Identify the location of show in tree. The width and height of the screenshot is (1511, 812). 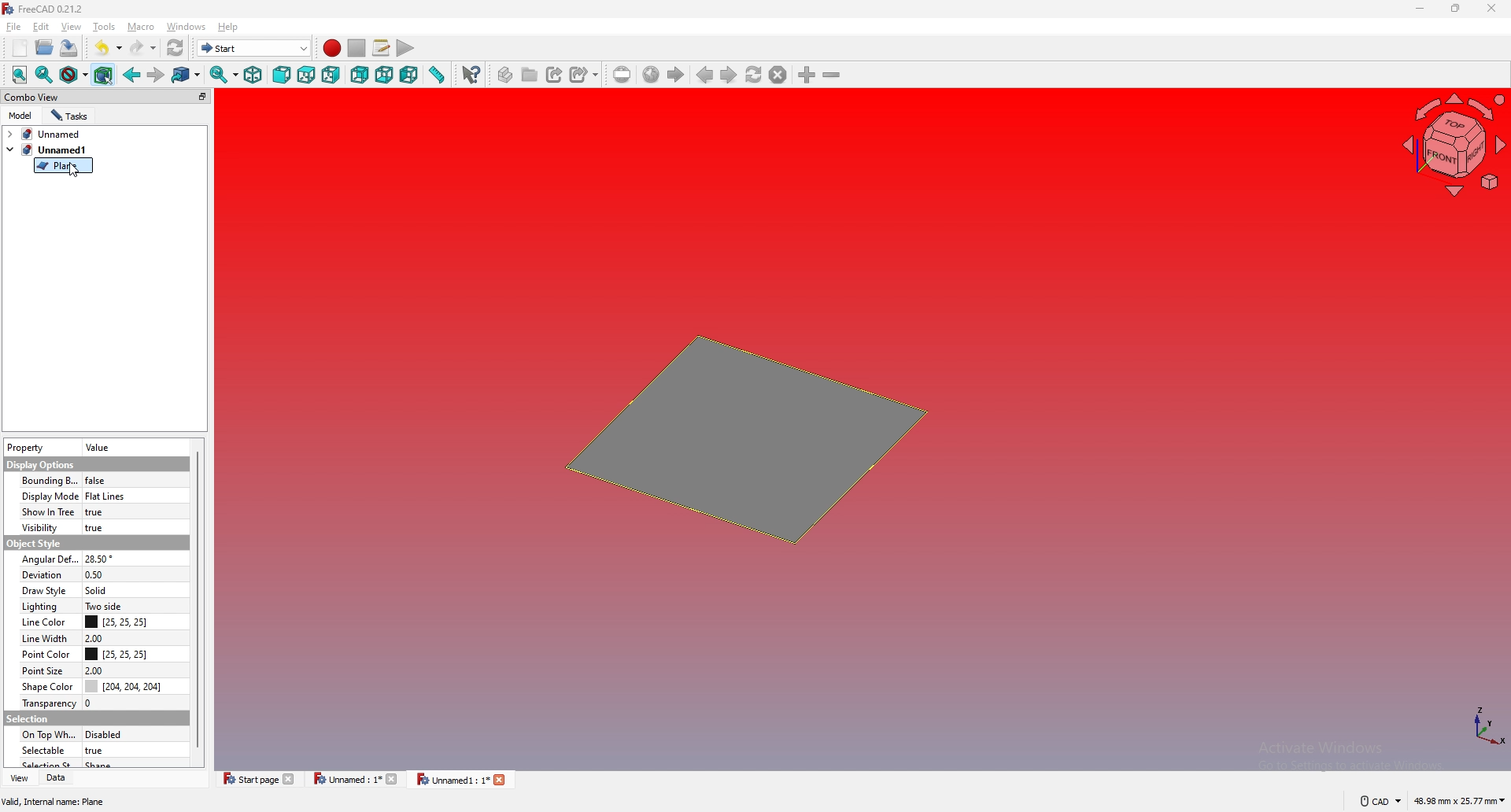
(46, 511).